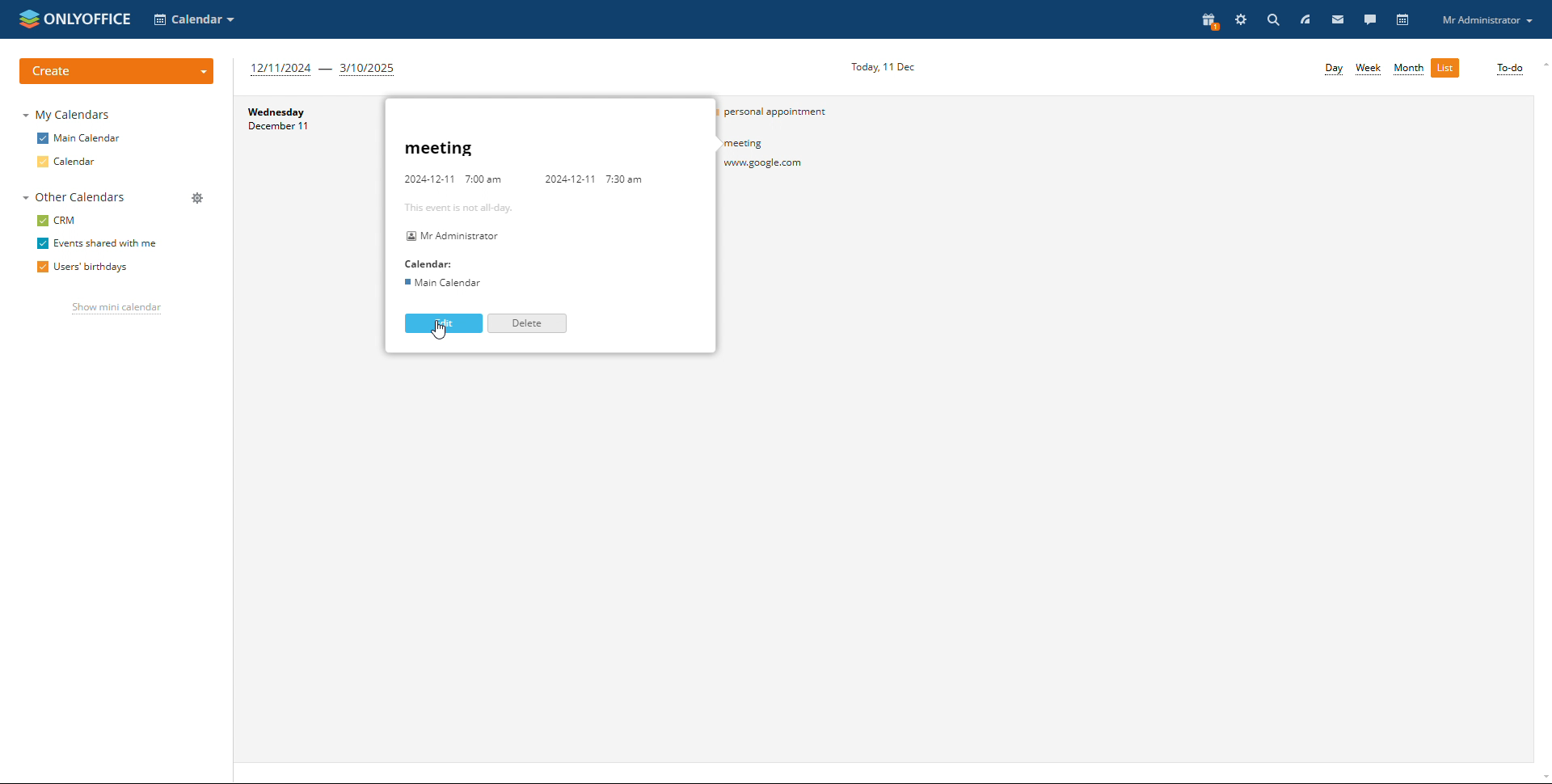  Describe the element at coordinates (325, 70) in the screenshot. I see `next three months` at that location.